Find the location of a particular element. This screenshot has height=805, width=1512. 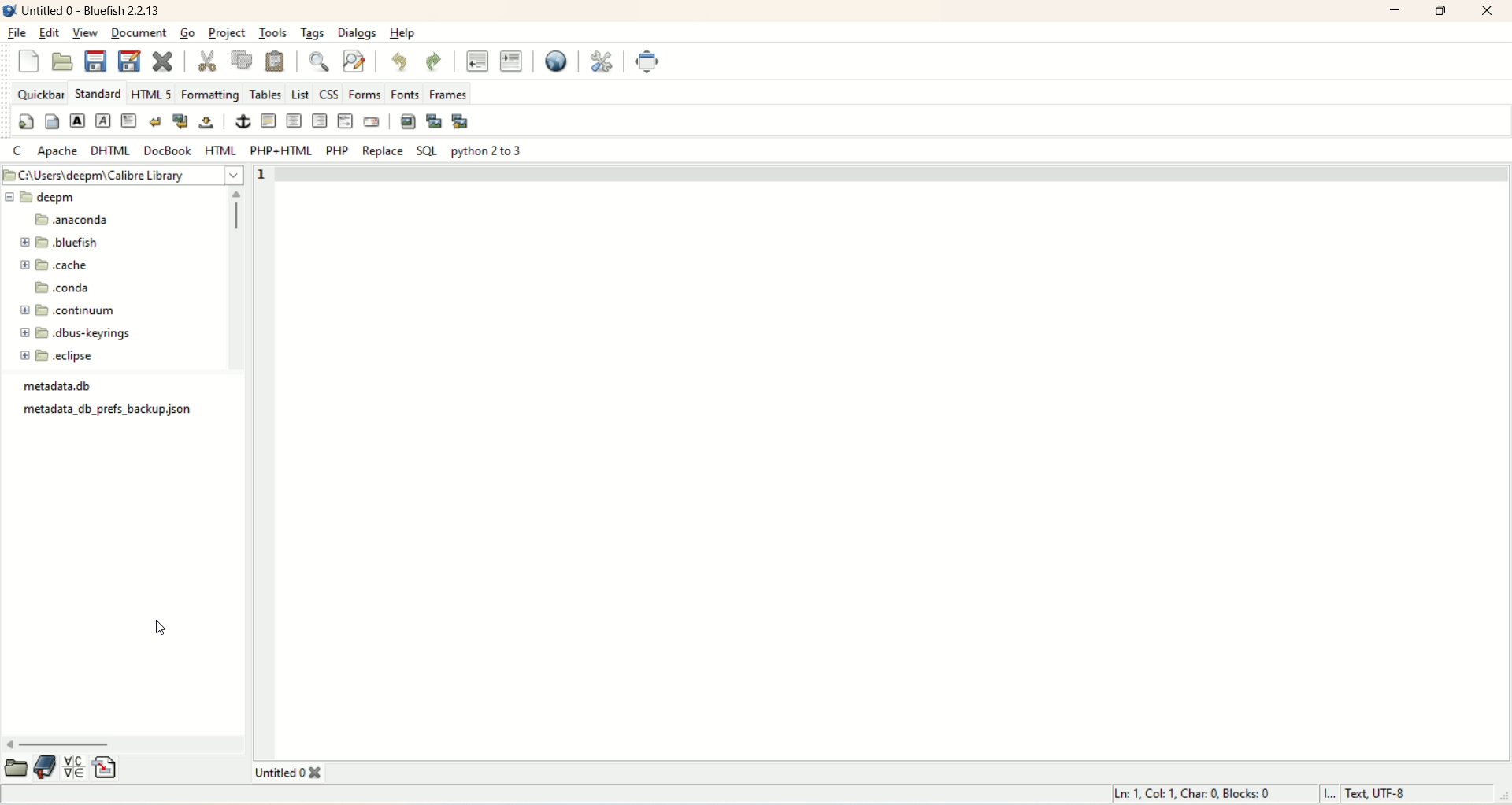

1 is located at coordinates (263, 172).